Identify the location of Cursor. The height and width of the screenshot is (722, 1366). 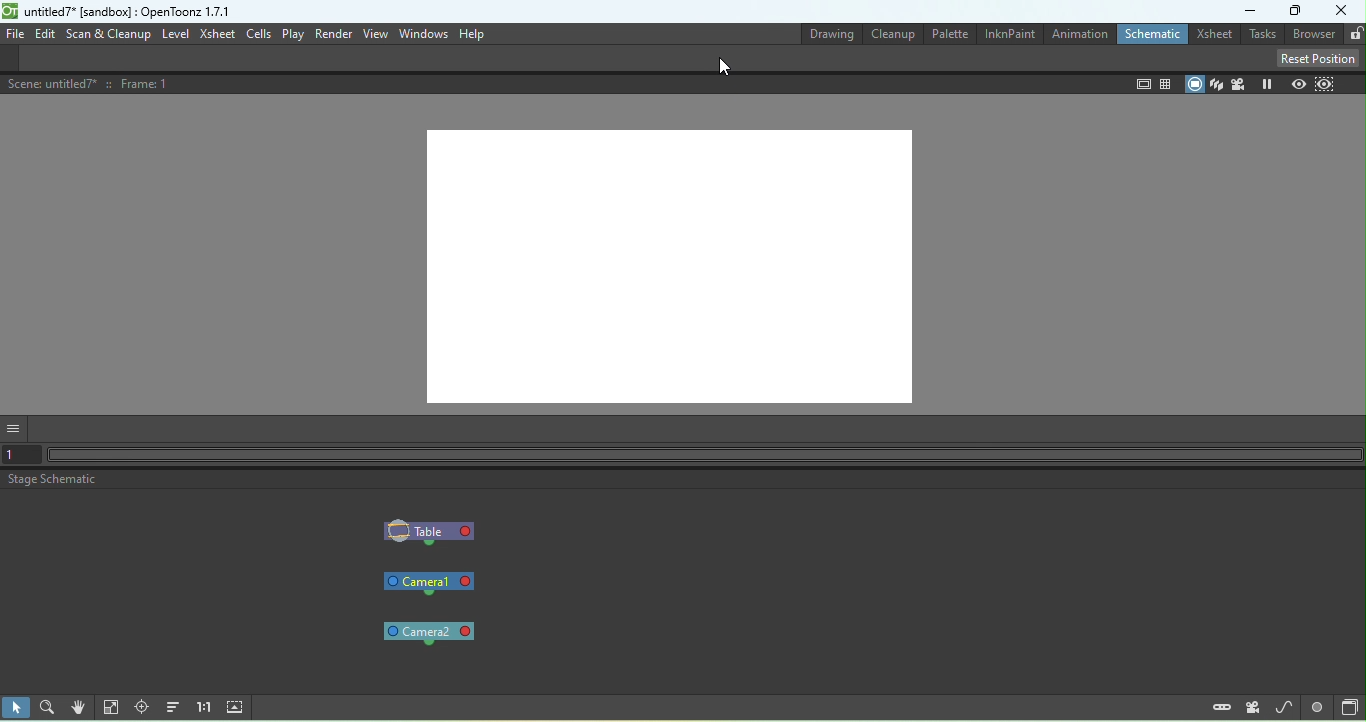
(724, 67).